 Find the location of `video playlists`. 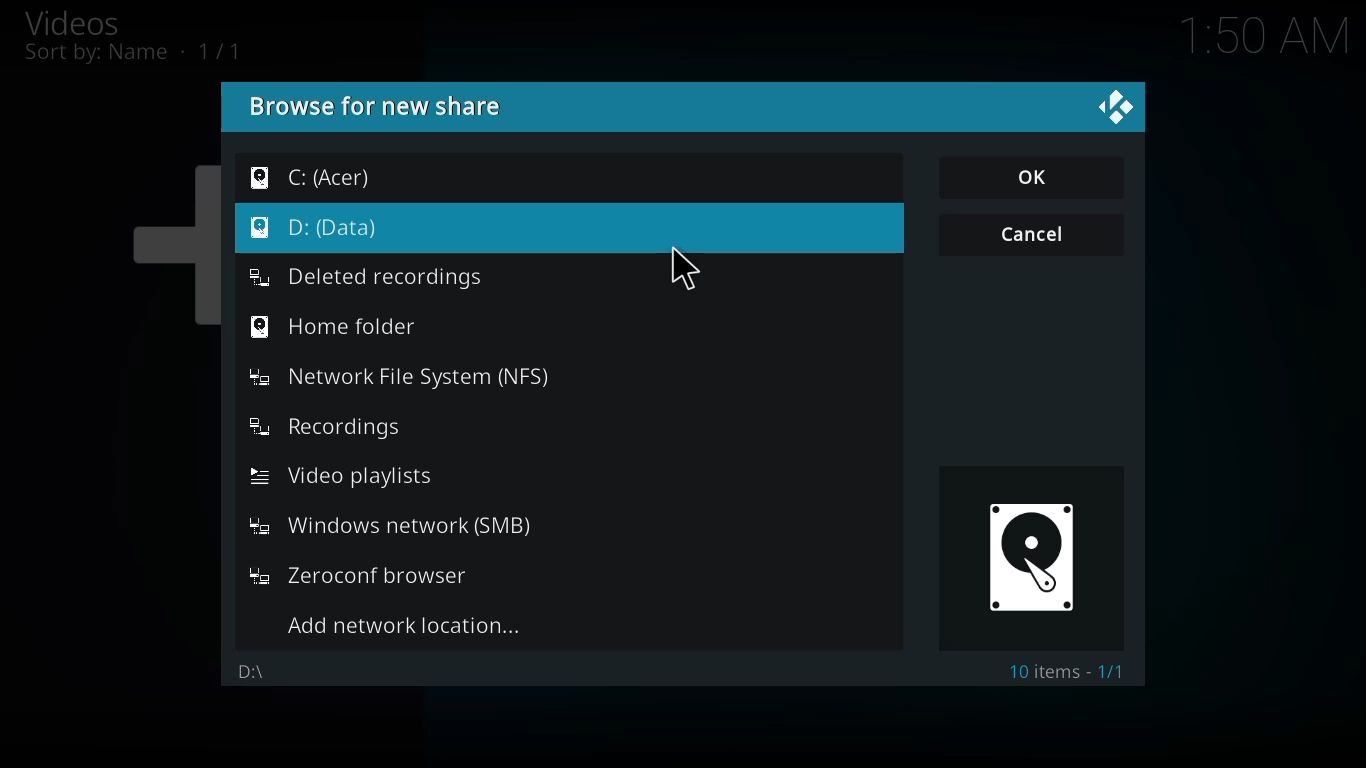

video playlists is located at coordinates (345, 474).